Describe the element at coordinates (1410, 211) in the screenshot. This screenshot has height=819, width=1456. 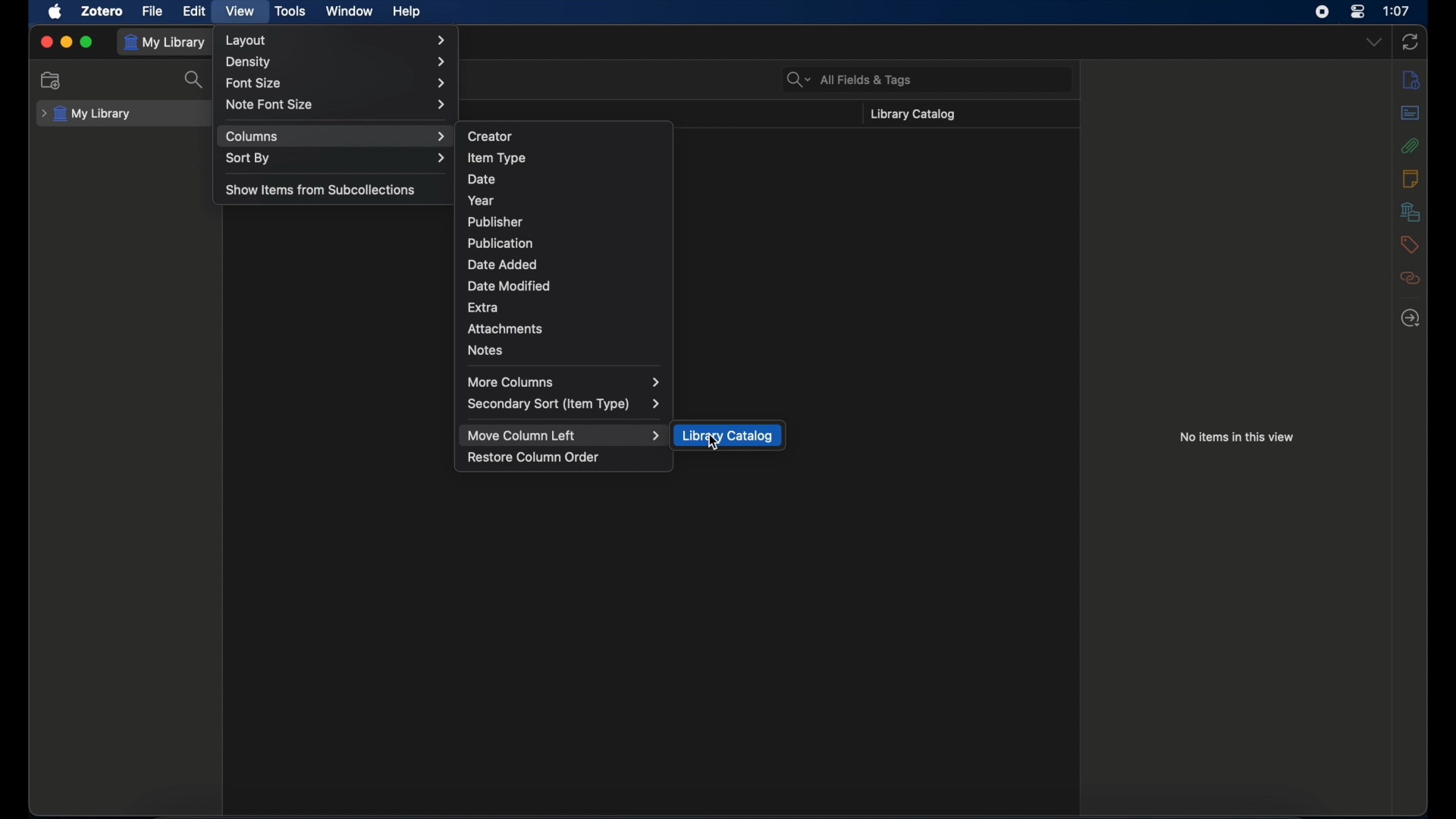
I see `libraries` at that location.